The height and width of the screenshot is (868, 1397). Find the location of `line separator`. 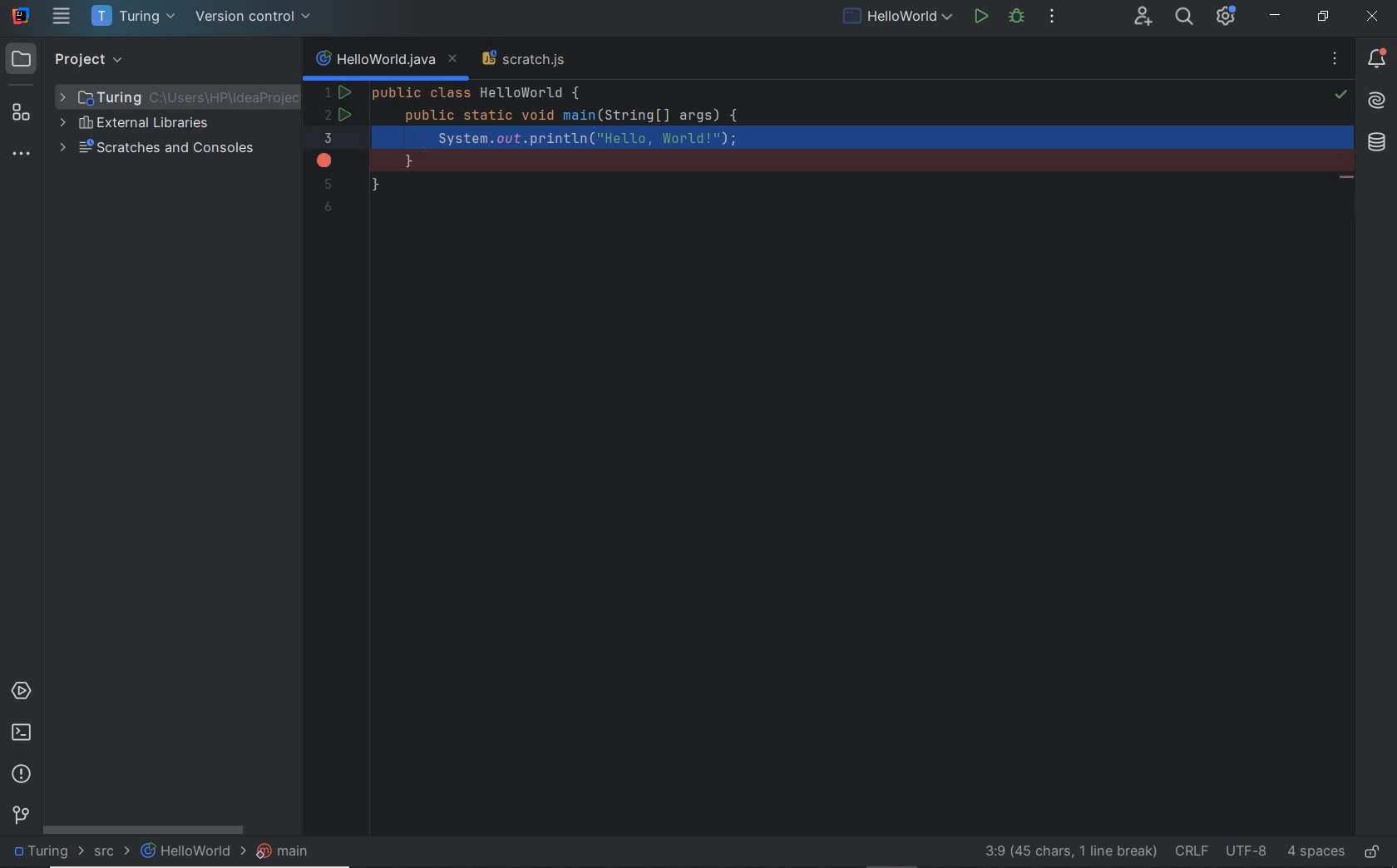

line separator is located at coordinates (1193, 850).